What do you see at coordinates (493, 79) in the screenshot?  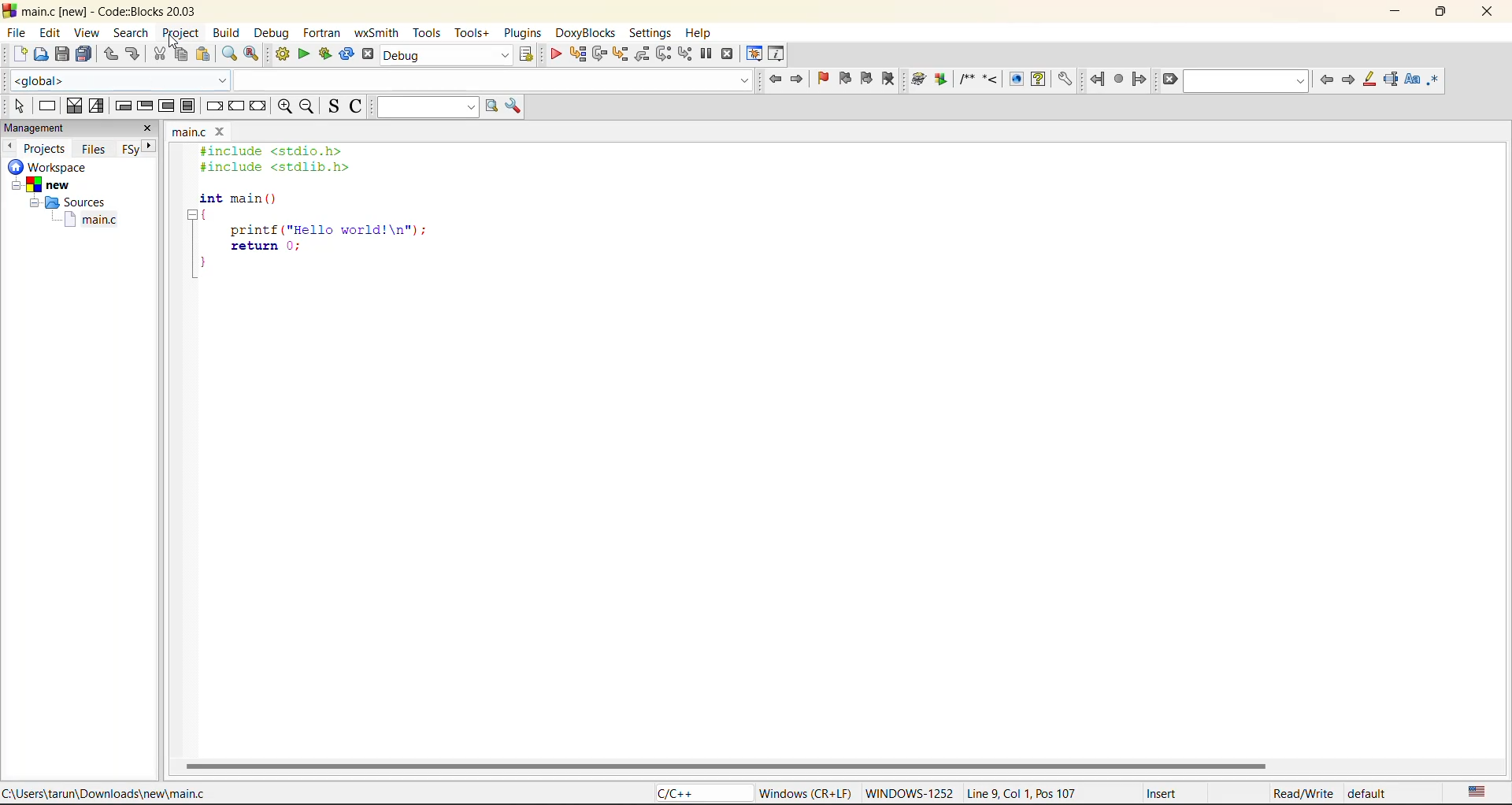 I see `code completion search` at bounding box center [493, 79].